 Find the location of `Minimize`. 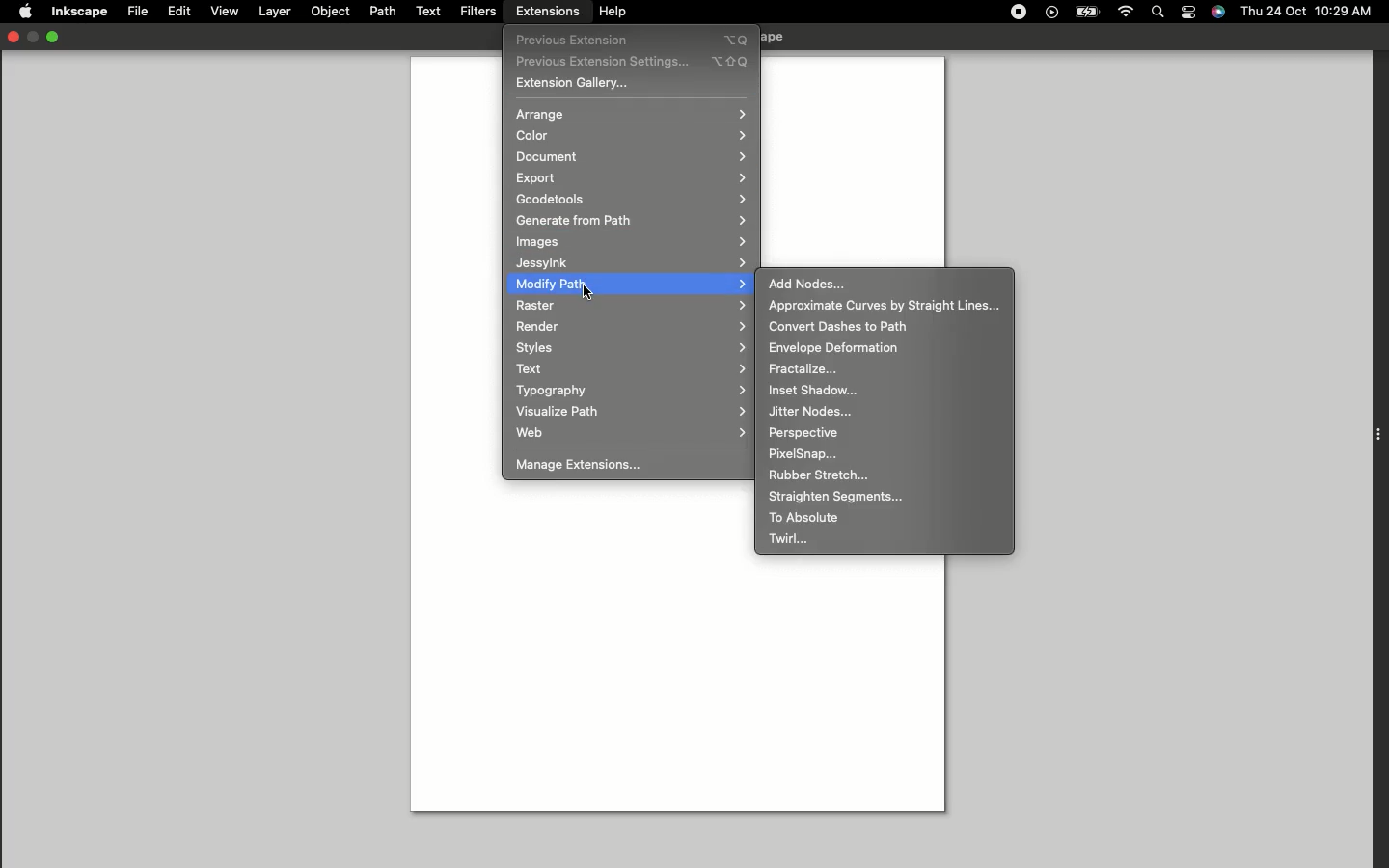

Minimize is located at coordinates (57, 39).